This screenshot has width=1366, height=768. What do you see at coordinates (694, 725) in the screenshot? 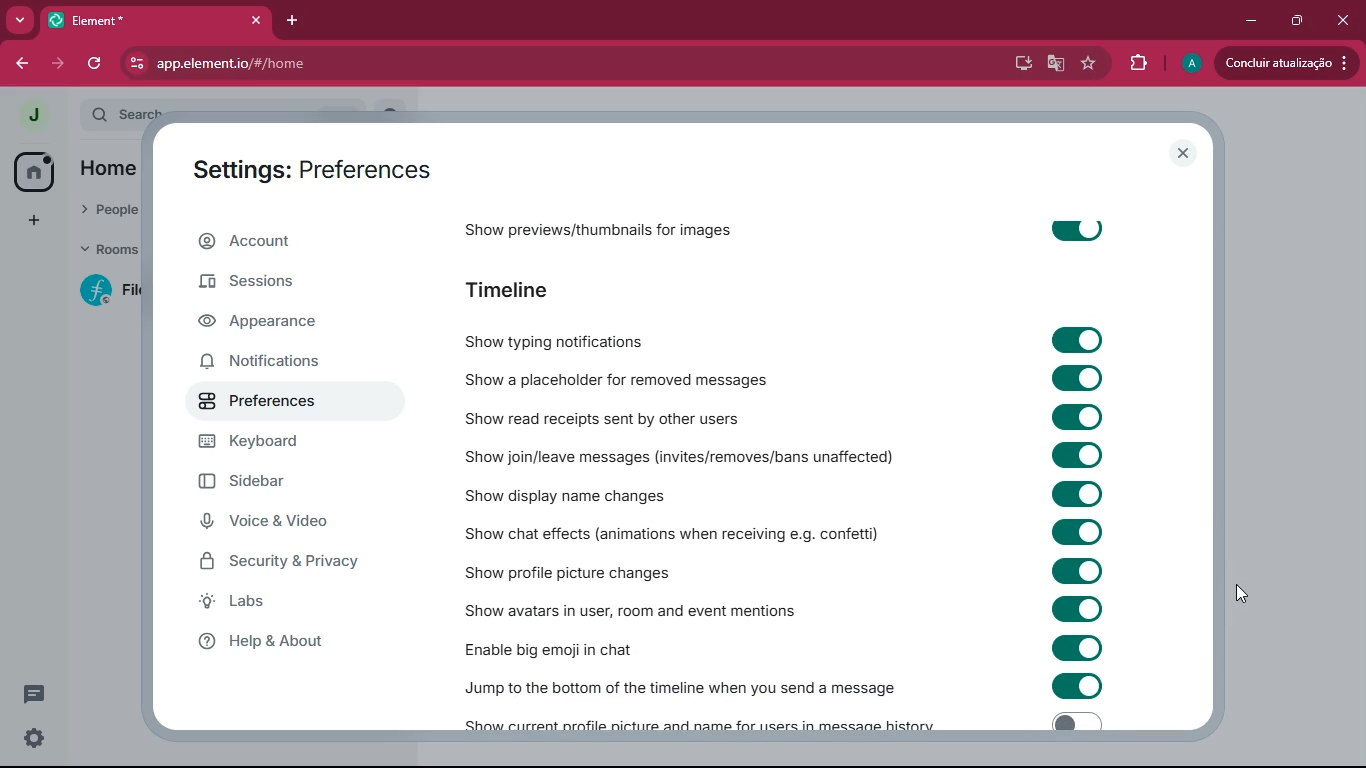
I see `show current  profile picture and name for users in message history` at bounding box center [694, 725].